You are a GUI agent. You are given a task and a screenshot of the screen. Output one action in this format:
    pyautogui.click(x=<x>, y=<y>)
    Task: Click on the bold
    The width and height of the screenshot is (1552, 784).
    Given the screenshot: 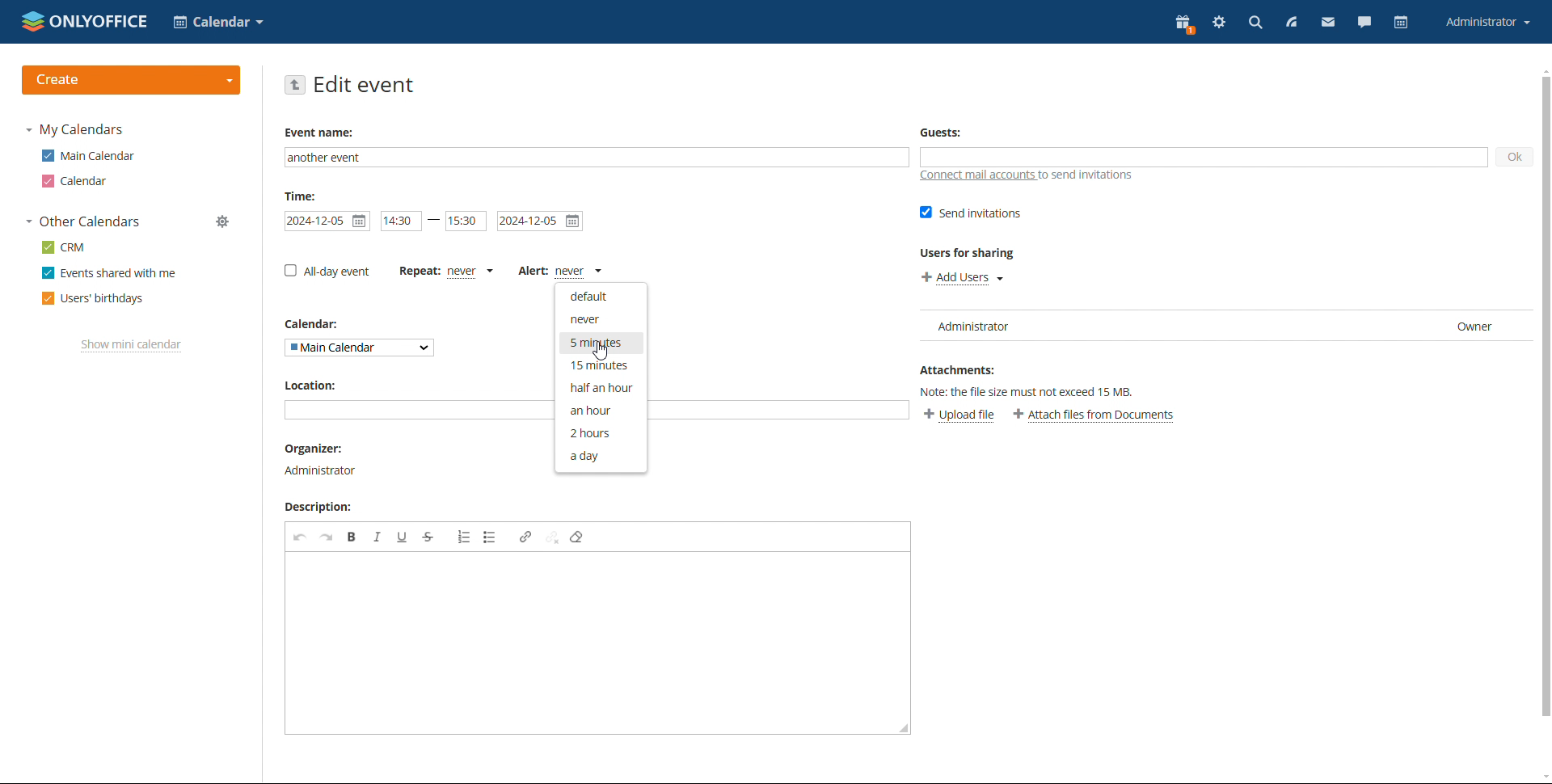 What is the action you would take?
    pyautogui.click(x=352, y=537)
    